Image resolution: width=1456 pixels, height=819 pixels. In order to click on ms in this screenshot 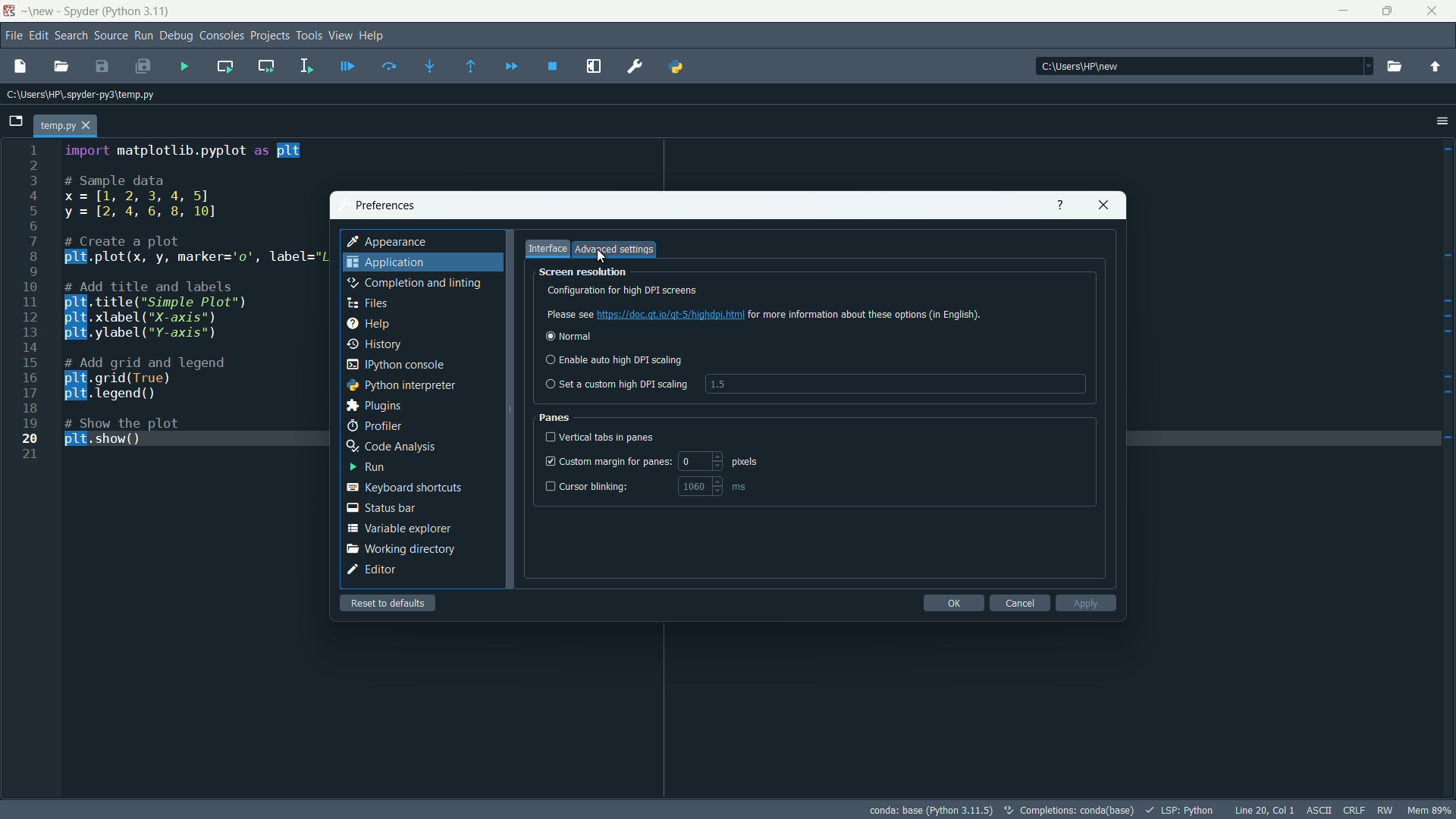, I will do `click(740, 487)`.